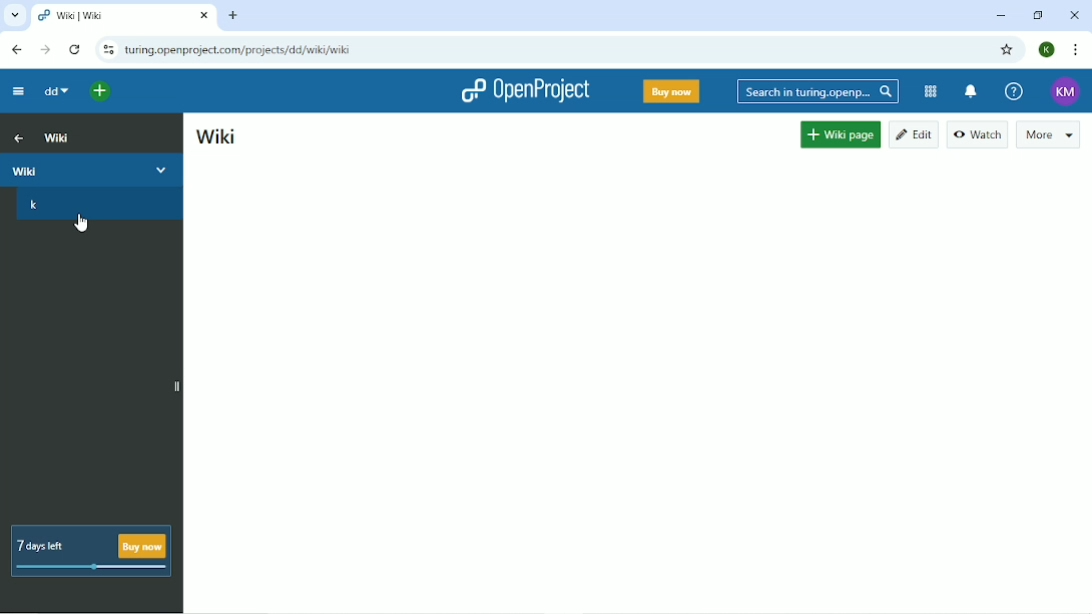  What do you see at coordinates (16, 137) in the screenshot?
I see `Up` at bounding box center [16, 137].